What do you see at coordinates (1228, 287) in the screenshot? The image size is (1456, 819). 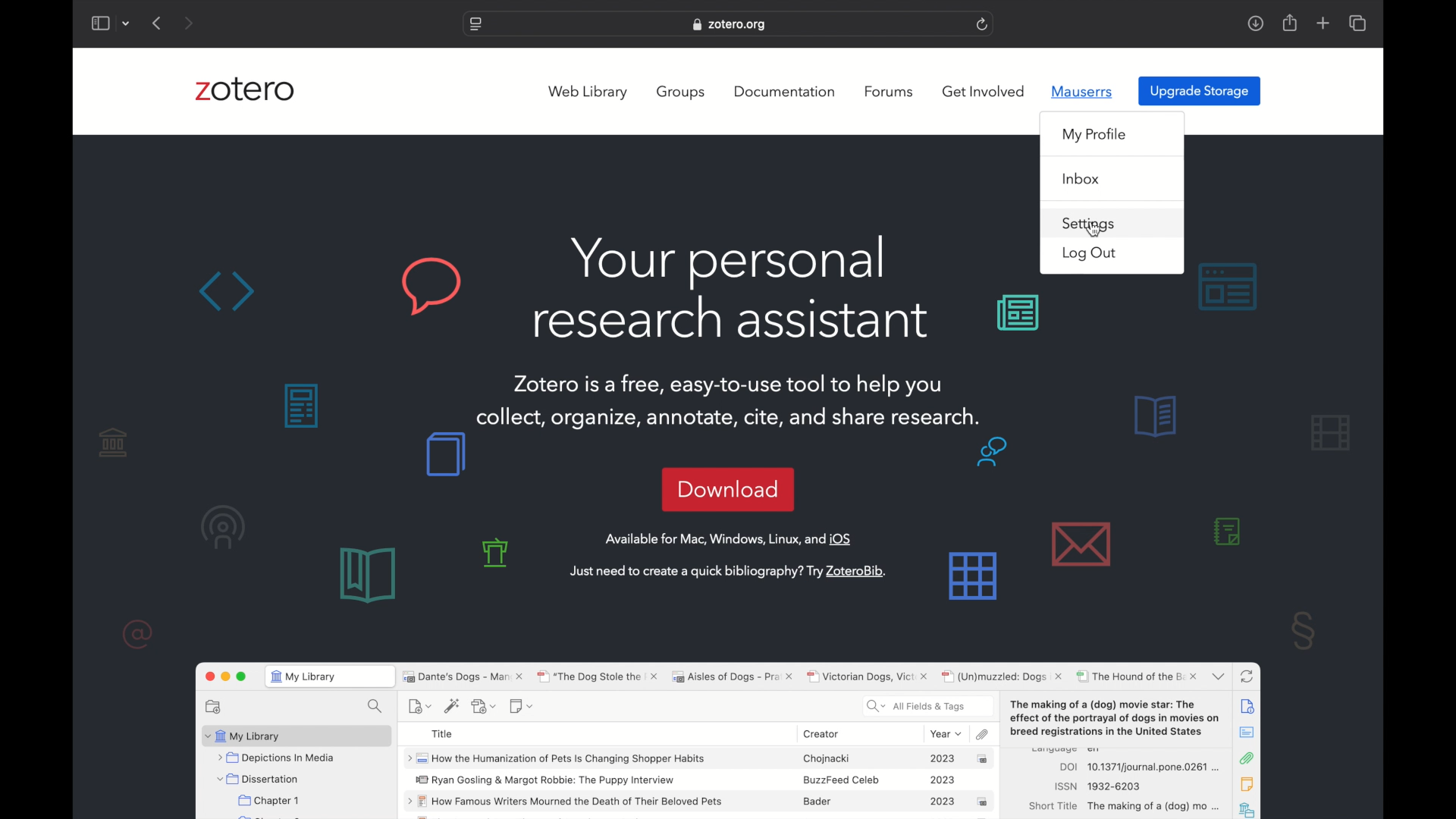 I see `background graphics` at bounding box center [1228, 287].